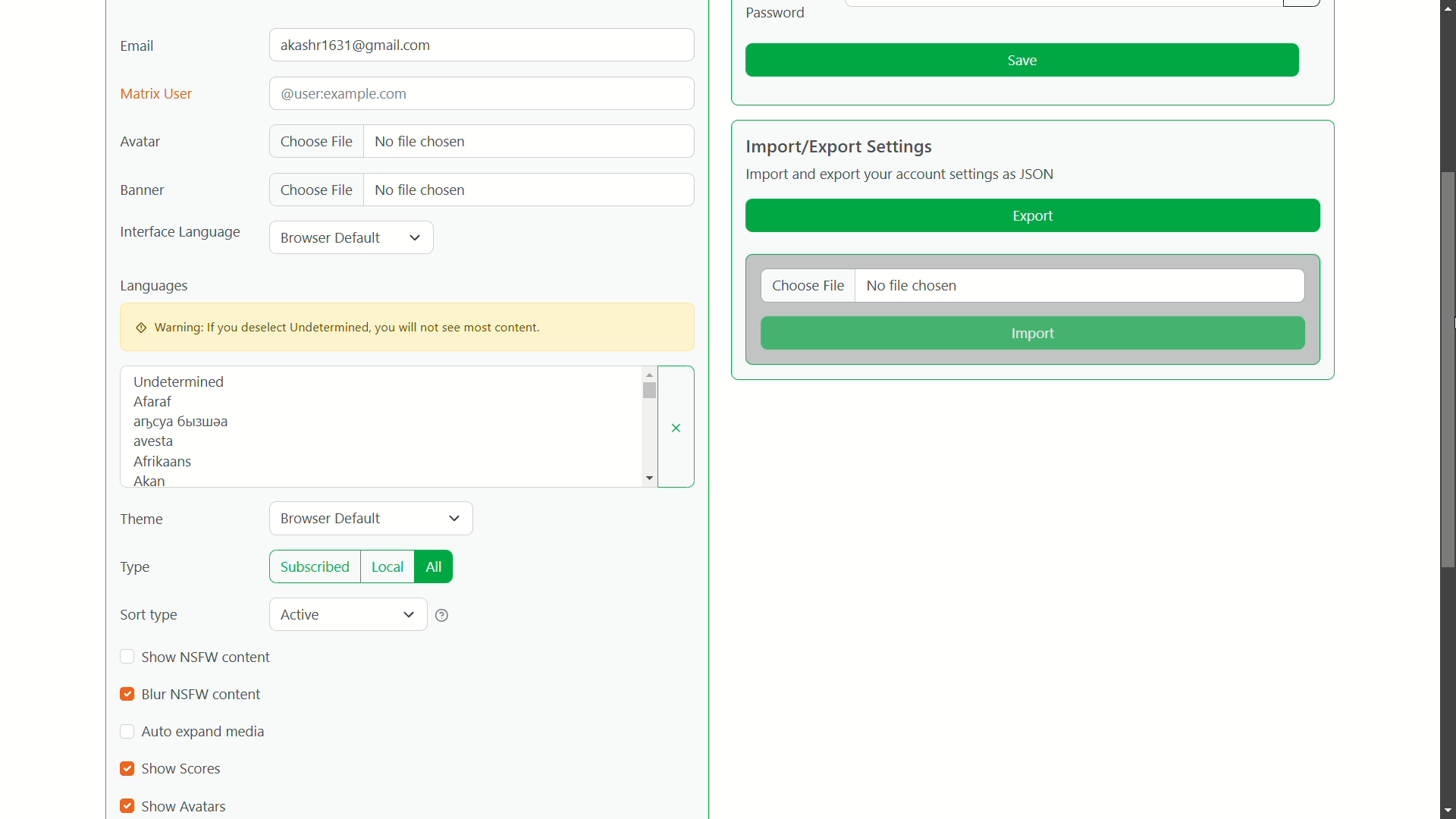 The image size is (1456, 819). Describe the element at coordinates (1031, 334) in the screenshot. I see `import` at that location.